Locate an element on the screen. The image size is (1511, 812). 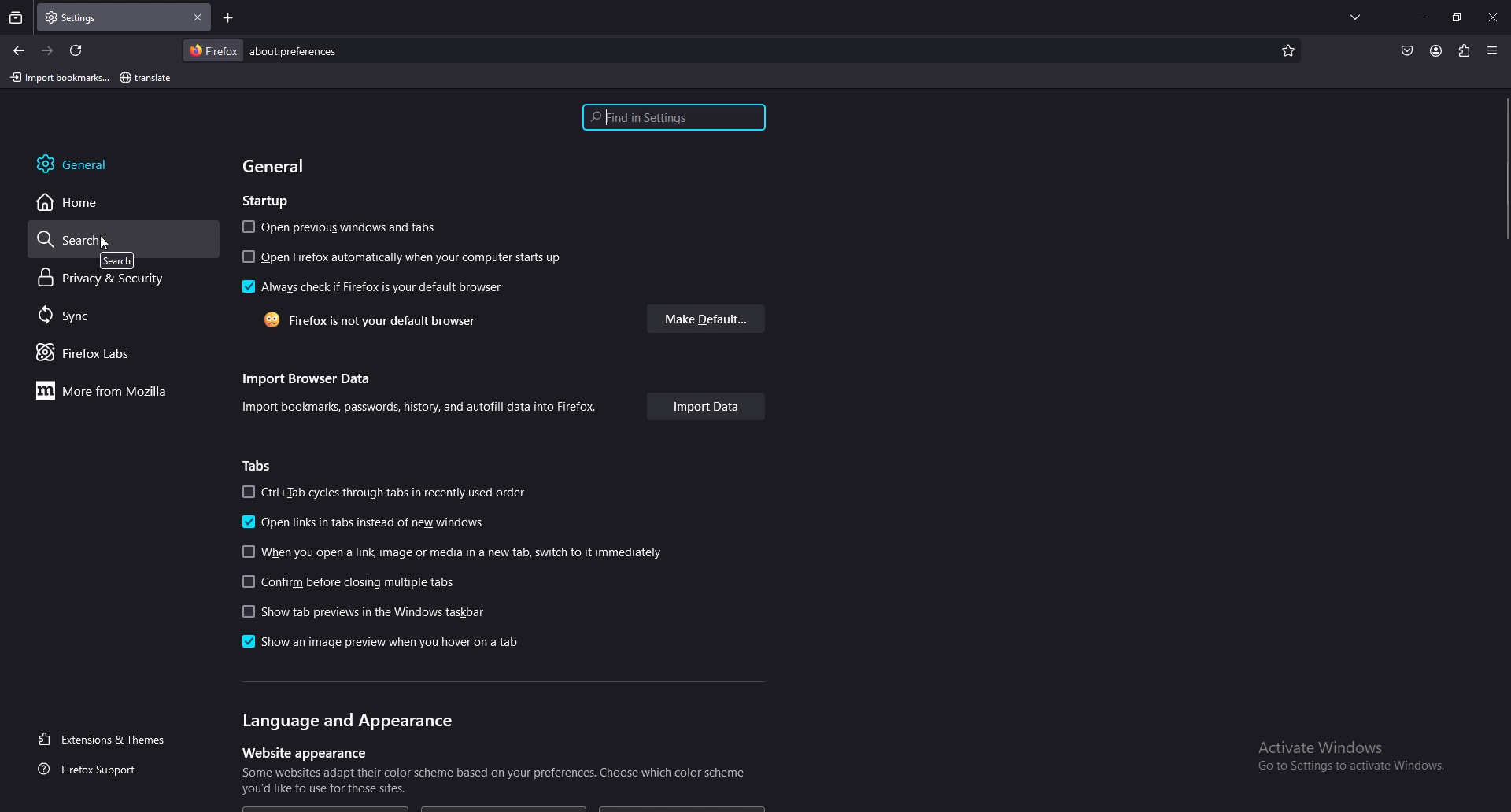
options is located at coordinates (1494, 49).